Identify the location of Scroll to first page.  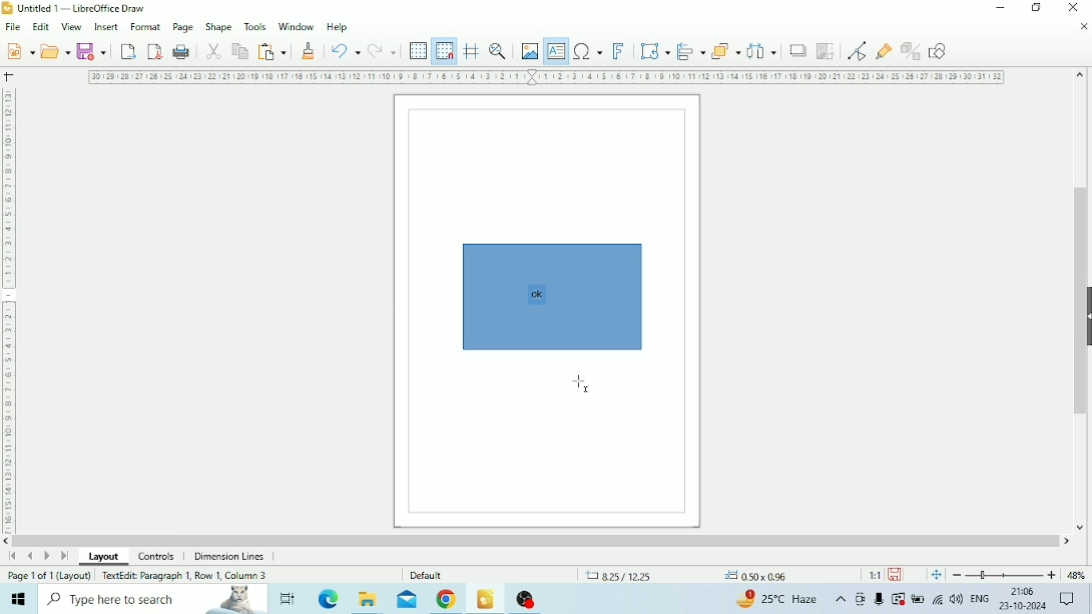
(12, 556).